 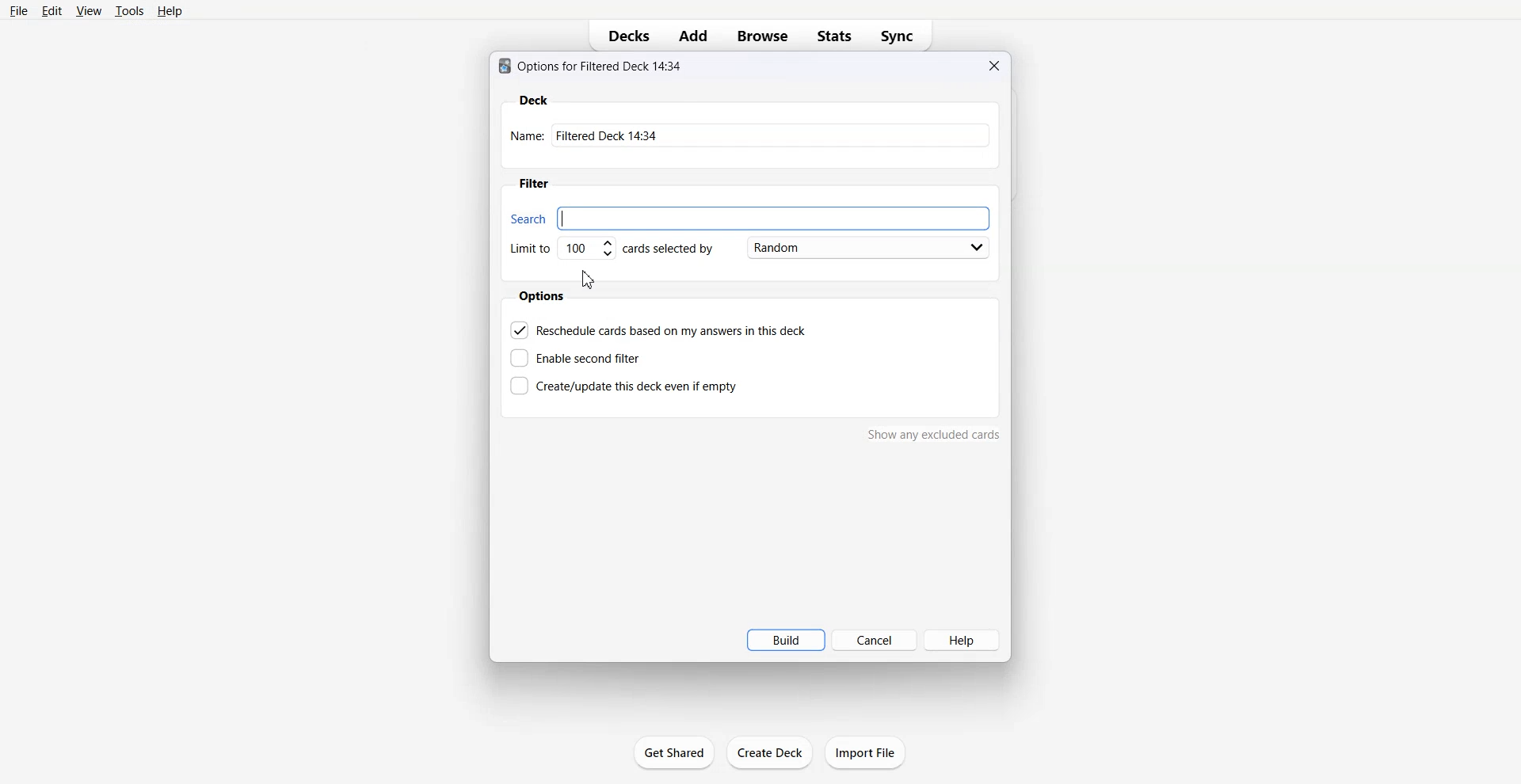 What do you see at coordinates (90, 10) in the screenshot?
I see `View` at bounding box center [90, 10].